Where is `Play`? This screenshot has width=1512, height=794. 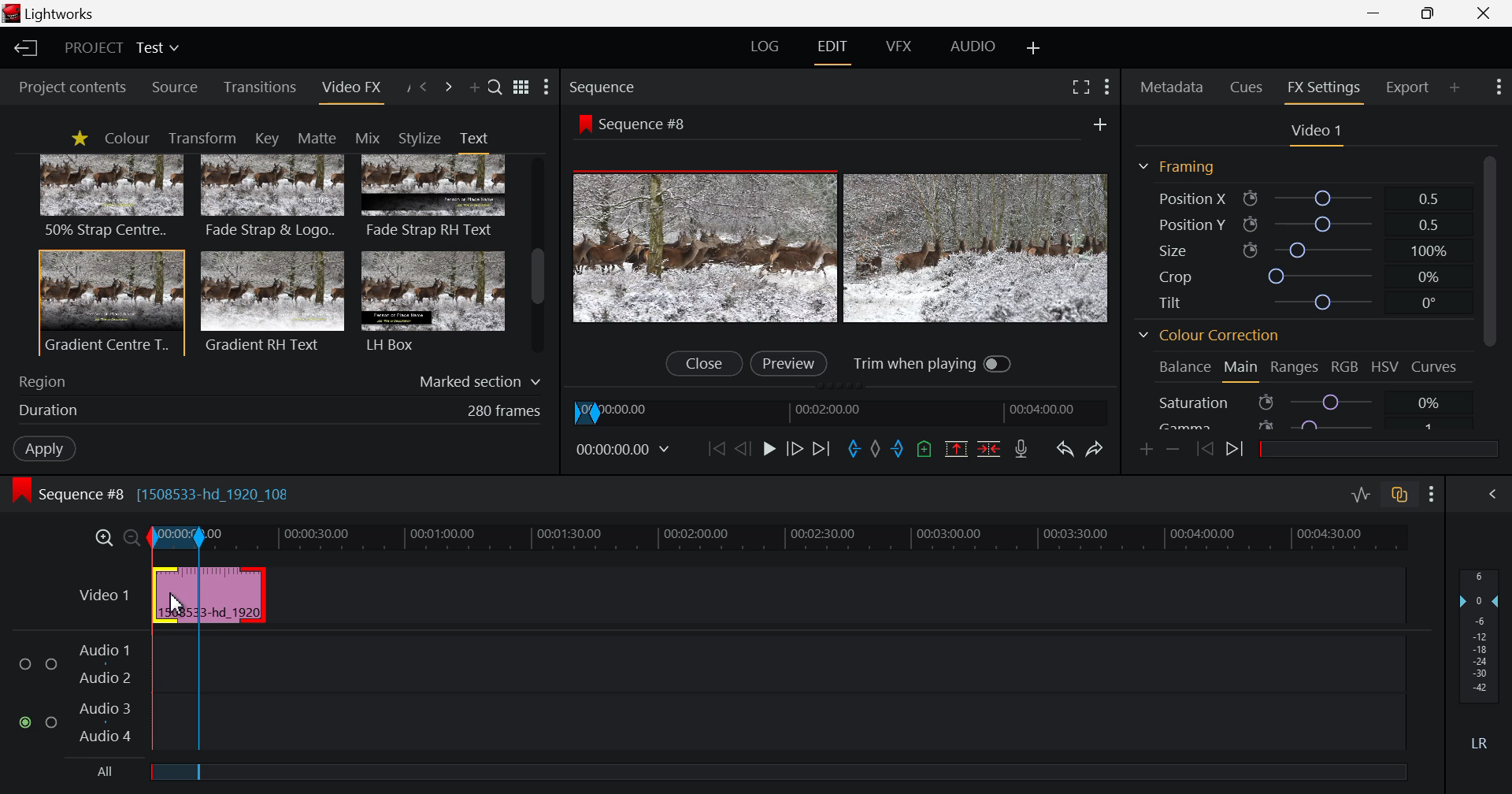 Play is located at coordinates (769, 450).